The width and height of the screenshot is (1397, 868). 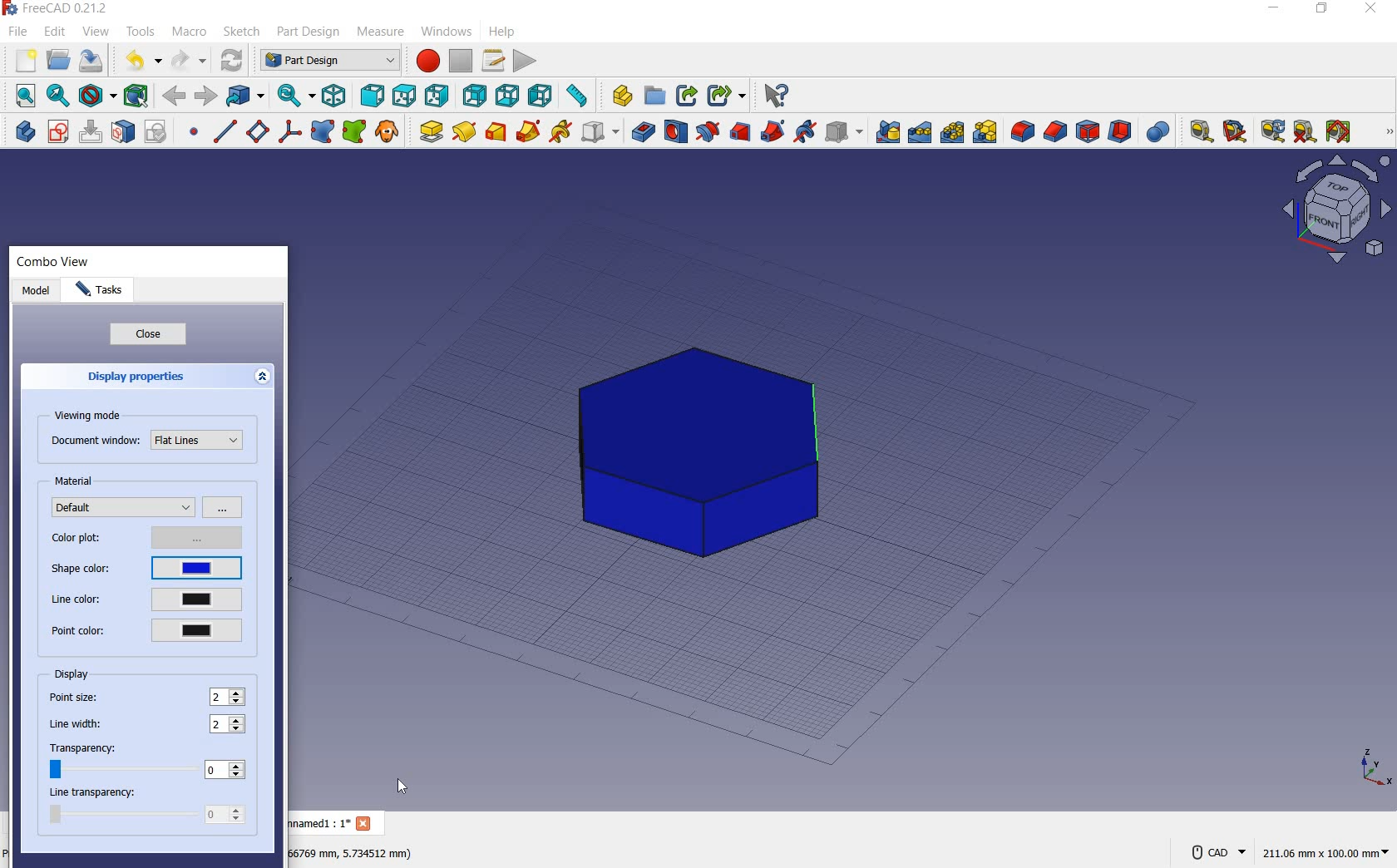 What do you see at coordinates (37, 291) in the screenshot?
I see `model` at bounding box center [37, 291].